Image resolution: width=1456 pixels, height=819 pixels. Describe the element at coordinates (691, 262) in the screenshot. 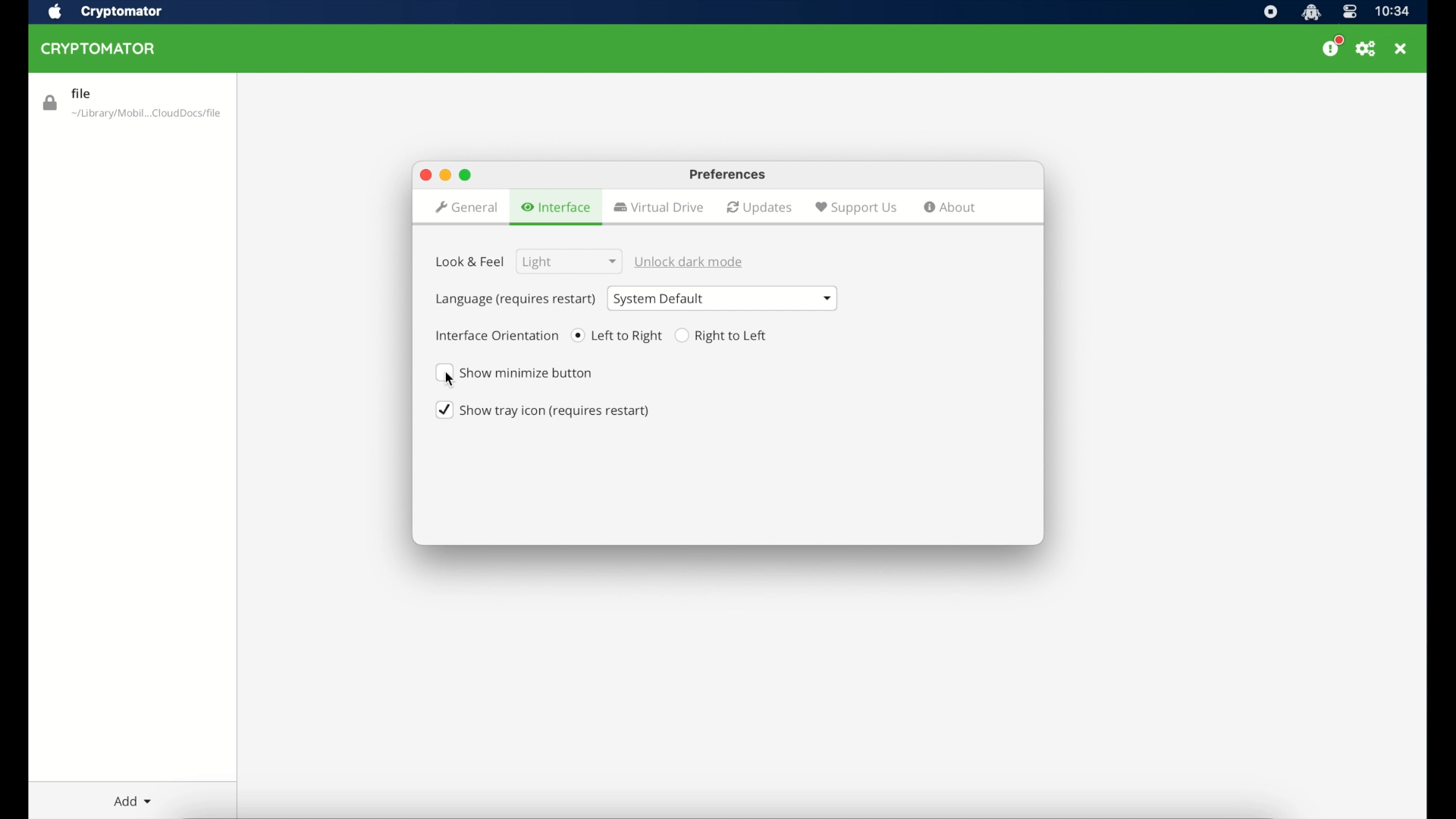

I see `unlock dark mode` at that location.